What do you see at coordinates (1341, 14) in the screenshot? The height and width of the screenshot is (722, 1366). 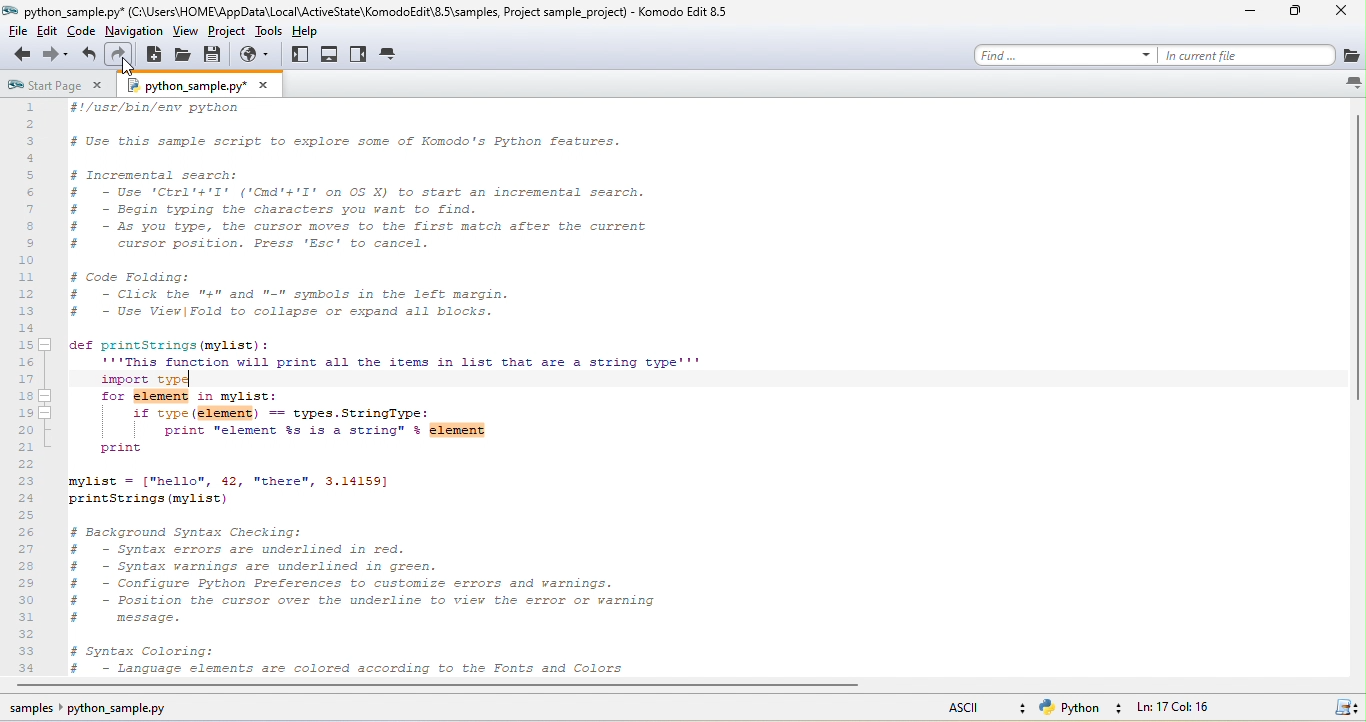 I see `close` at bounding box center [1341, 14].